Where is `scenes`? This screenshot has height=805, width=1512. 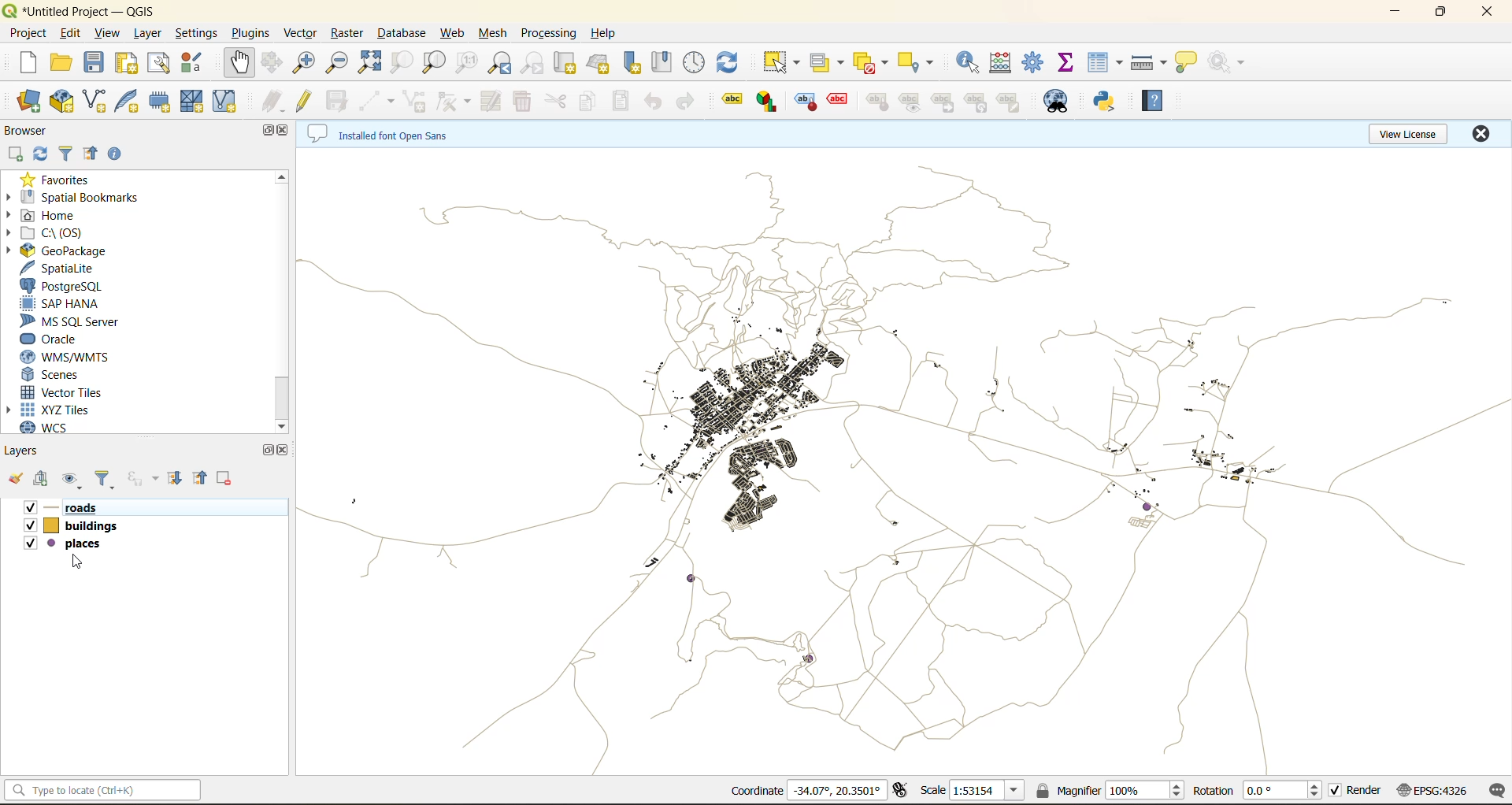 scenes is located at coordinates (80, 376).